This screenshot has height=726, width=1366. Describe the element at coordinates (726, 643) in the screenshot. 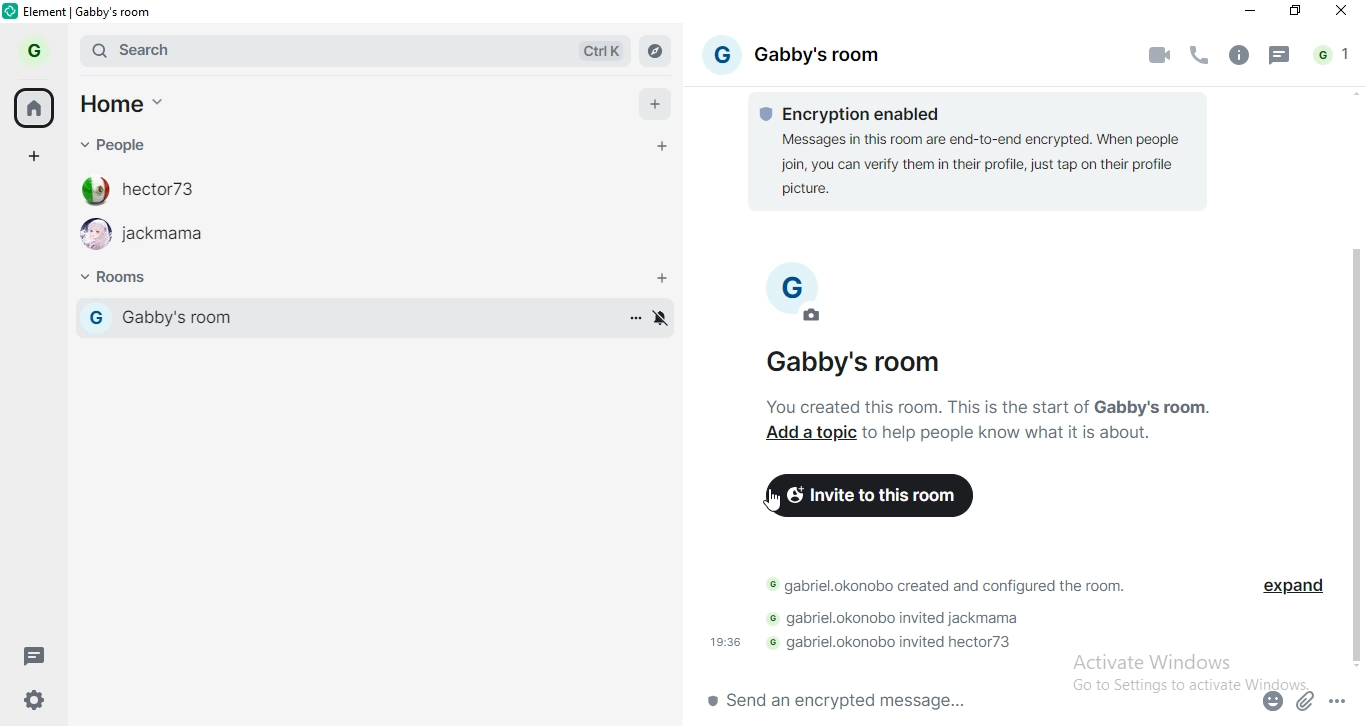

I see `19:36` at that location.